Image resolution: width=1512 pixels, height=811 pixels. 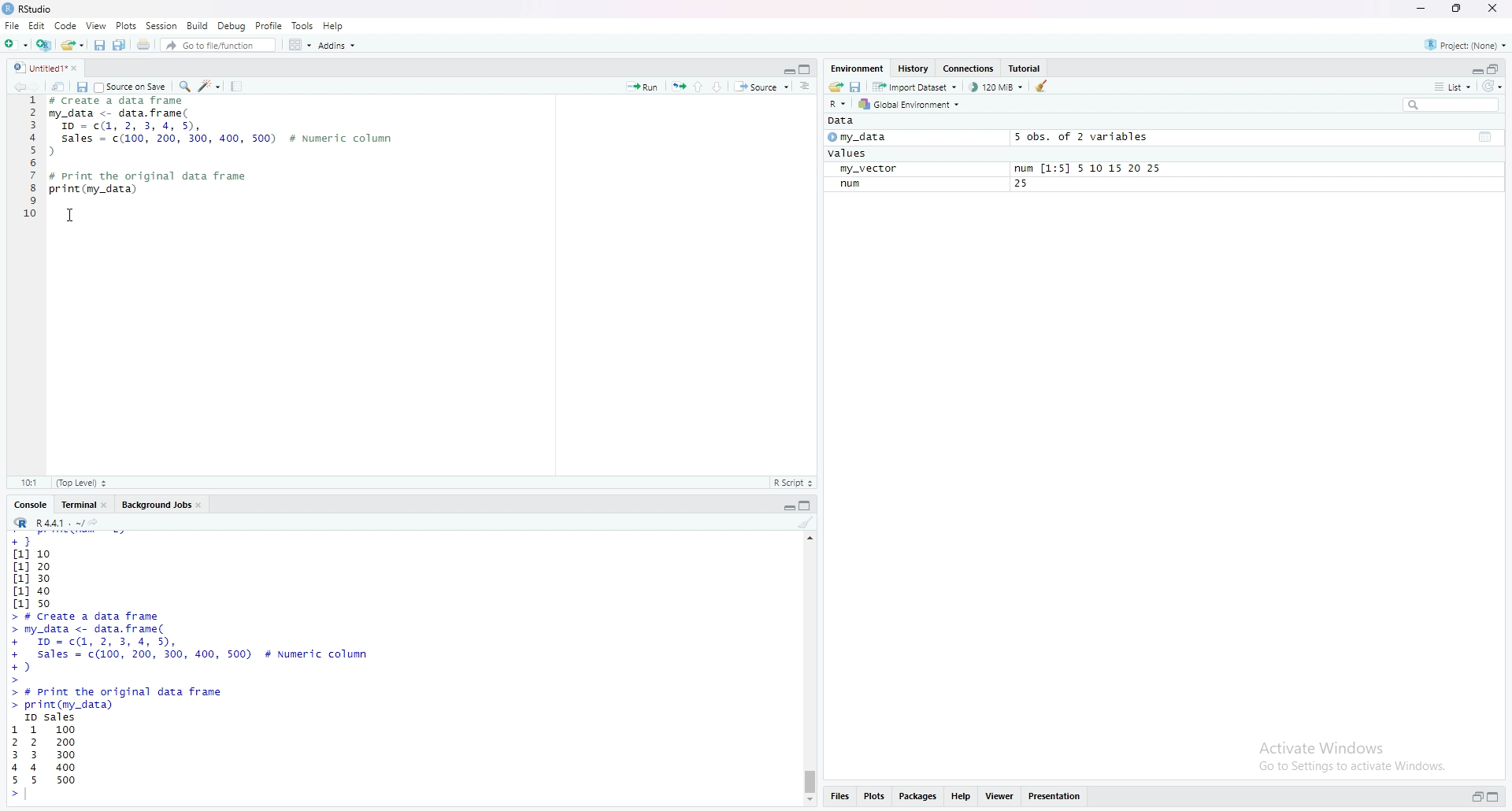 What do you see at coordinates (159, 25) in the screenshot?
I see `Session` at bounding box center [159, 25].